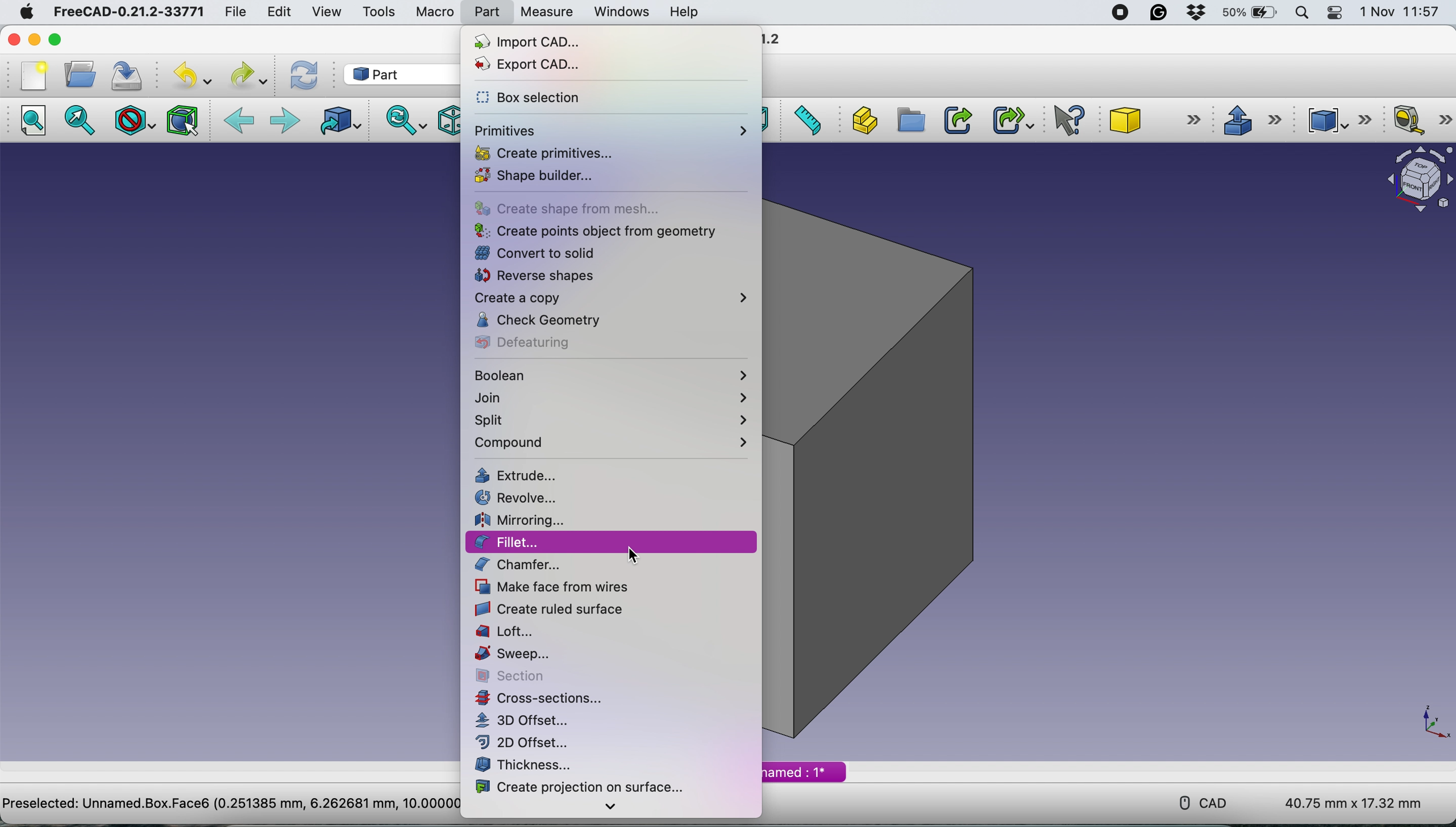 The height and width of the screenshot is (827, 1456). What do you see at coordinates (542, 175) in the screenshot?
I see `shape builder` at bounding box center [542, 175].